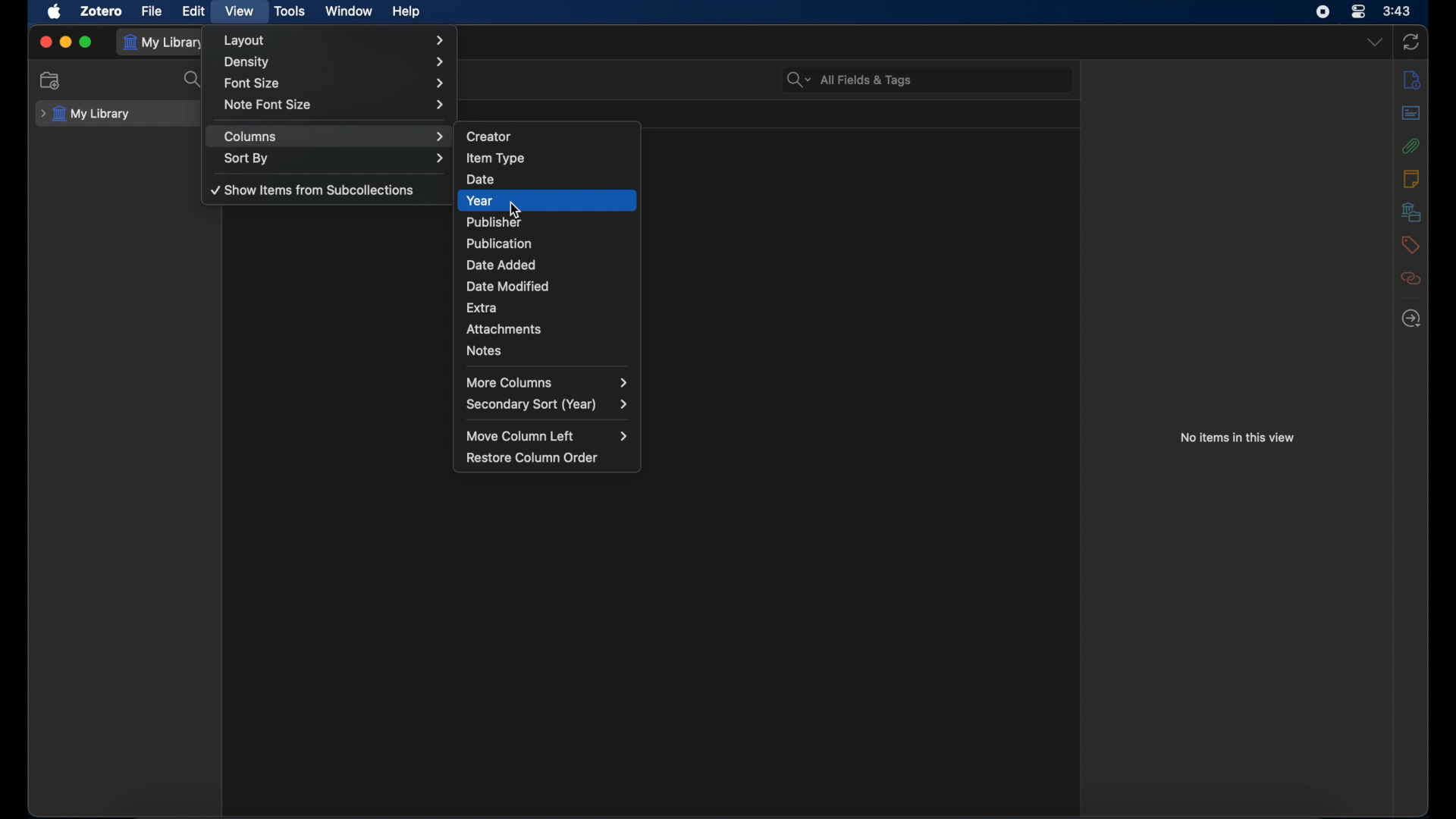 The width and height of the screenshot is (1456, 819). I want to click on date, so click(550, 177).